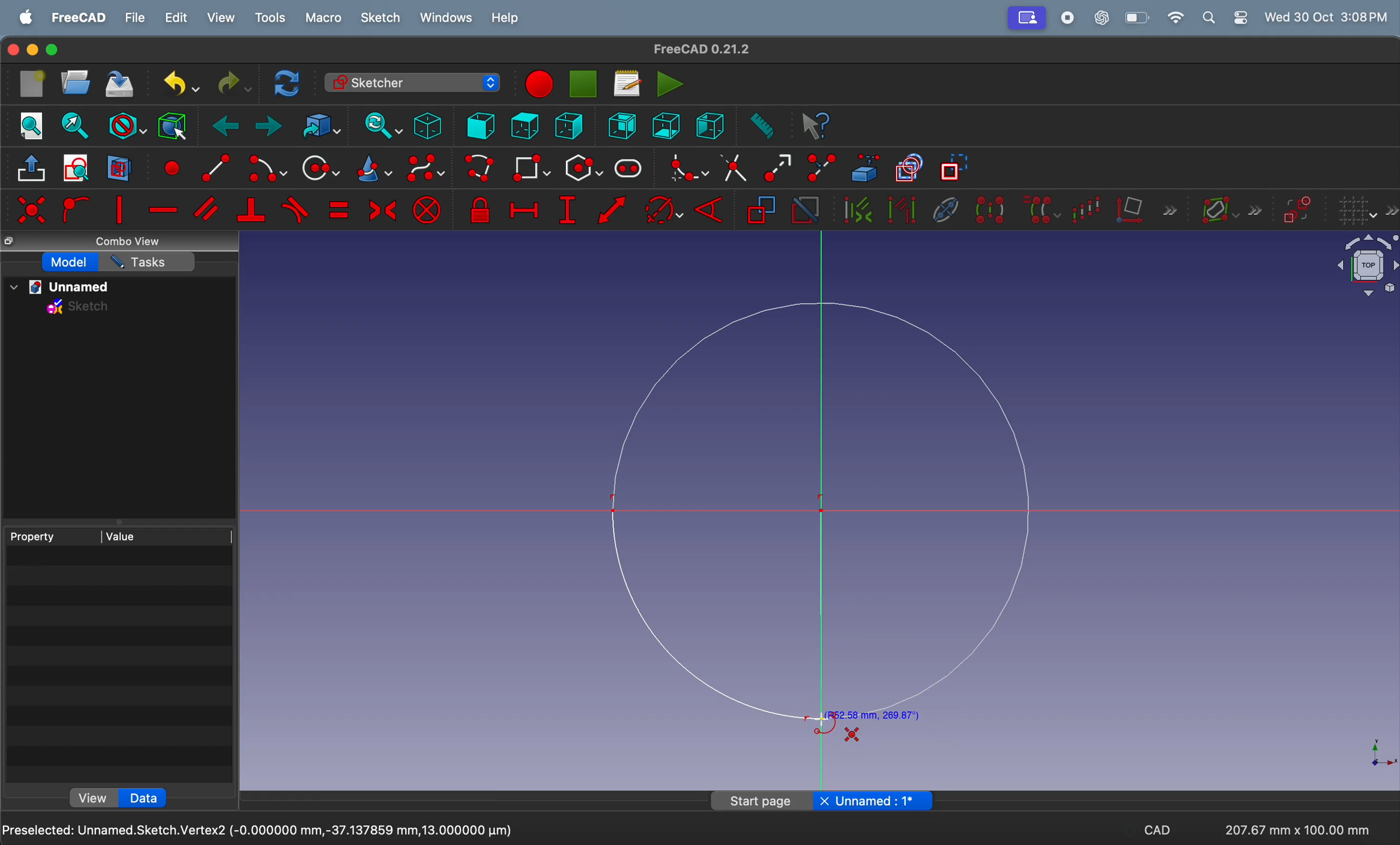  Describe the element at coordinates (583, 169) in the screenshot. I see `create external polygon` at that location.